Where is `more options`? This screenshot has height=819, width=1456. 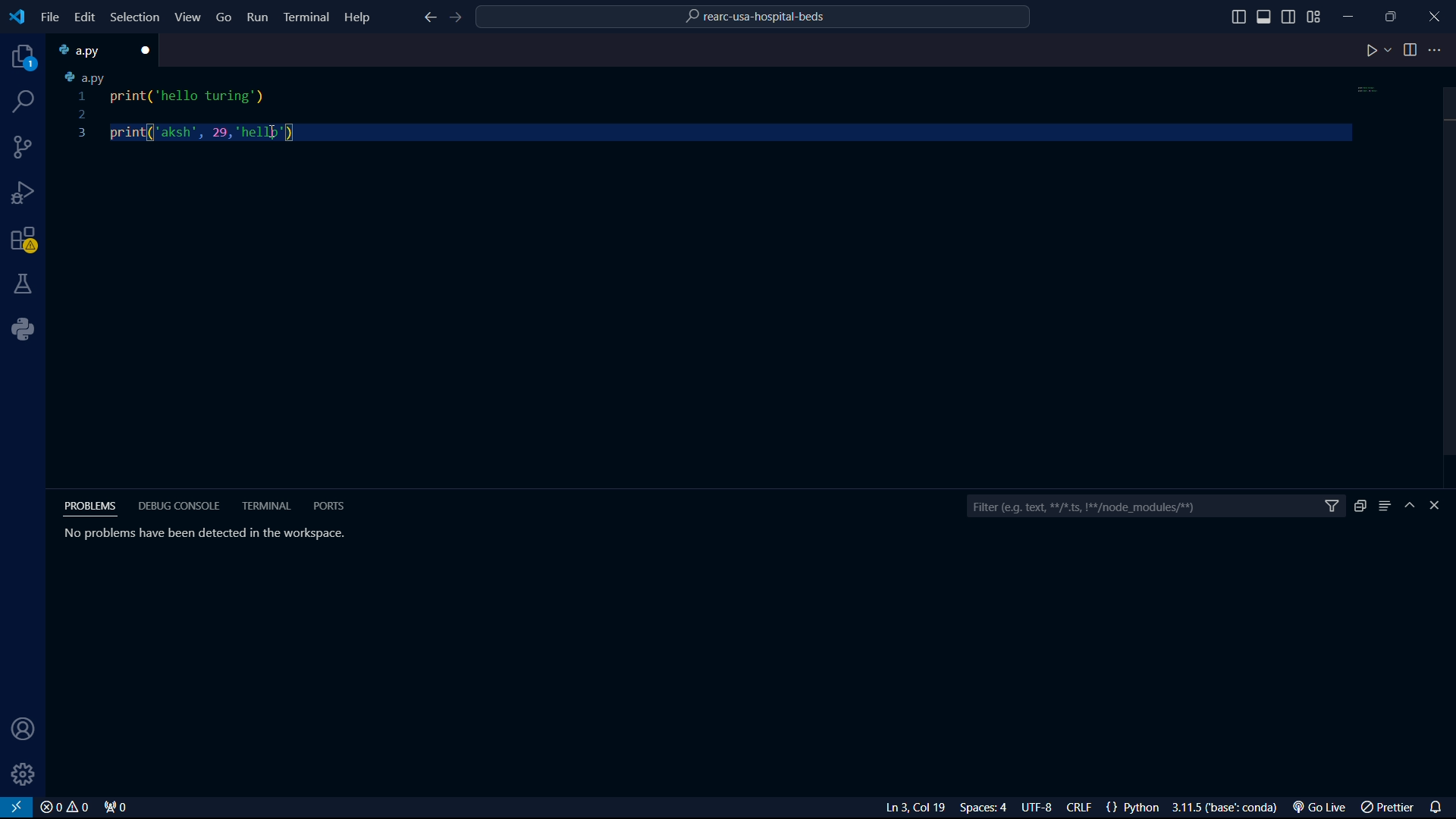
more options is located at coordinates (1437, 50).